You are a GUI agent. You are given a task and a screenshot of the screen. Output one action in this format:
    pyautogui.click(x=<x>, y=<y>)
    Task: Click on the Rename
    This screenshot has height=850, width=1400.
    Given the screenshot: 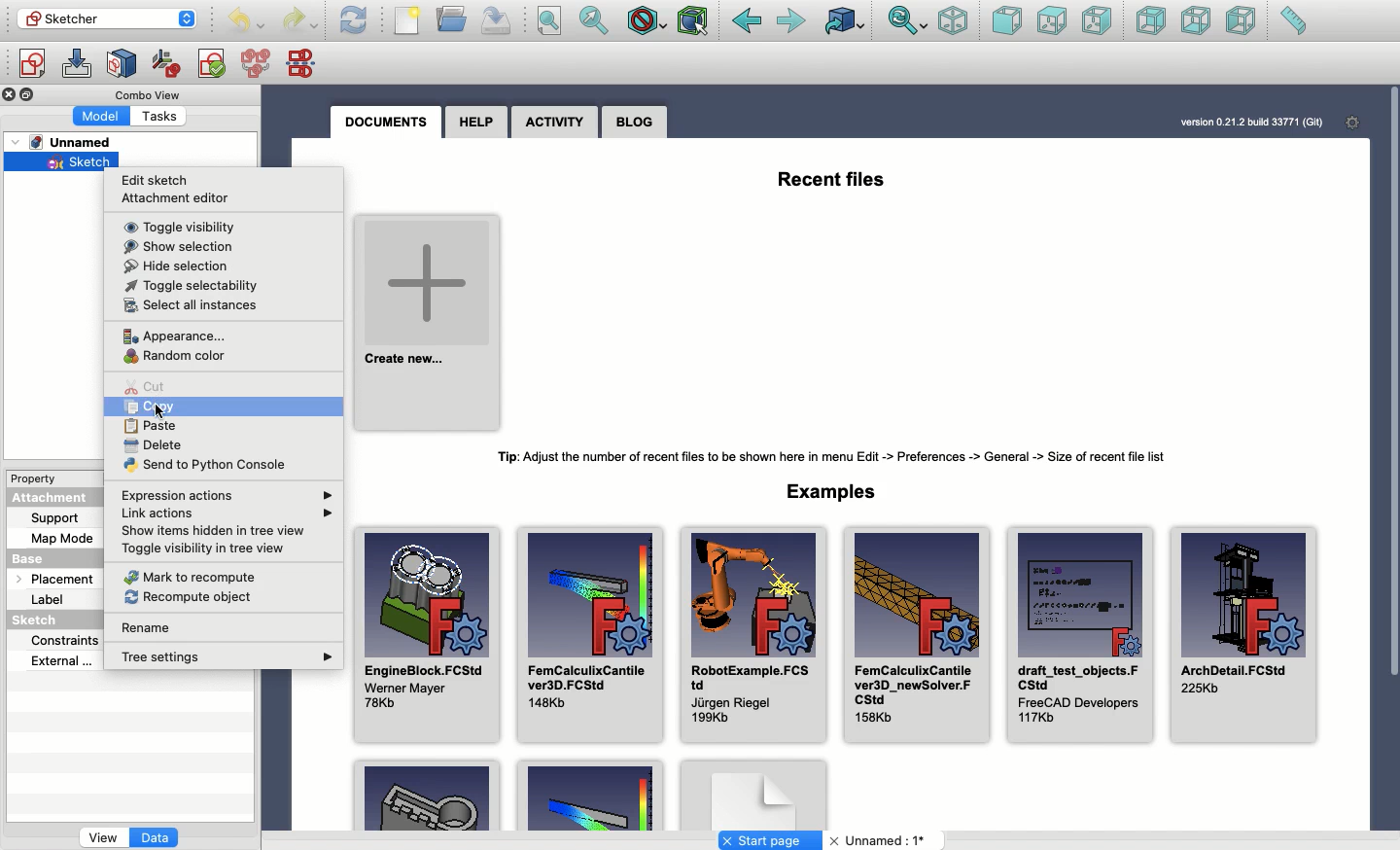 What is the action you would take?
    pyautogui.click(x=153, y=629)
    